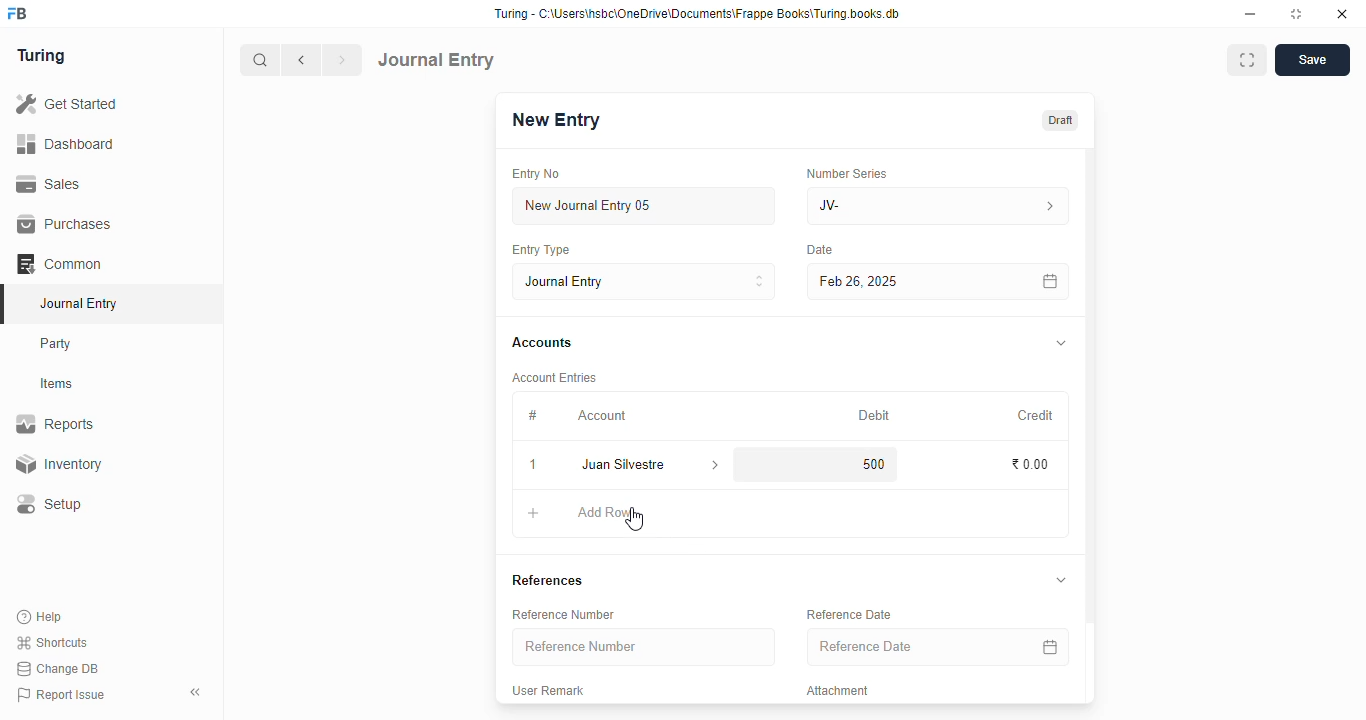 The width and height of the screenshot is (1366, 720). Describe the element at coordinates (644, 647) in the screenshot. I see `reference number` at that location.